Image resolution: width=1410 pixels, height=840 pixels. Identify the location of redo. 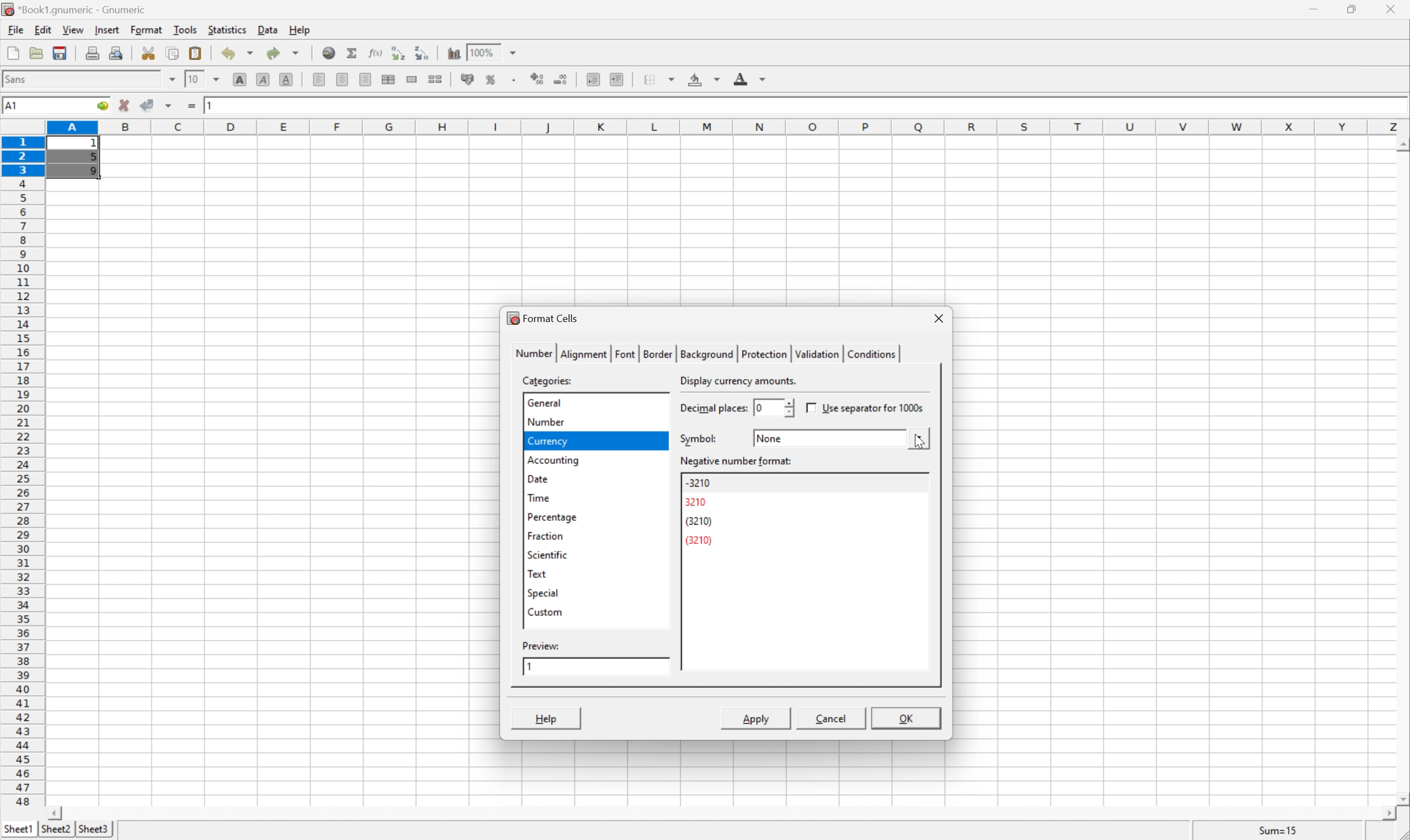
(283, 53).